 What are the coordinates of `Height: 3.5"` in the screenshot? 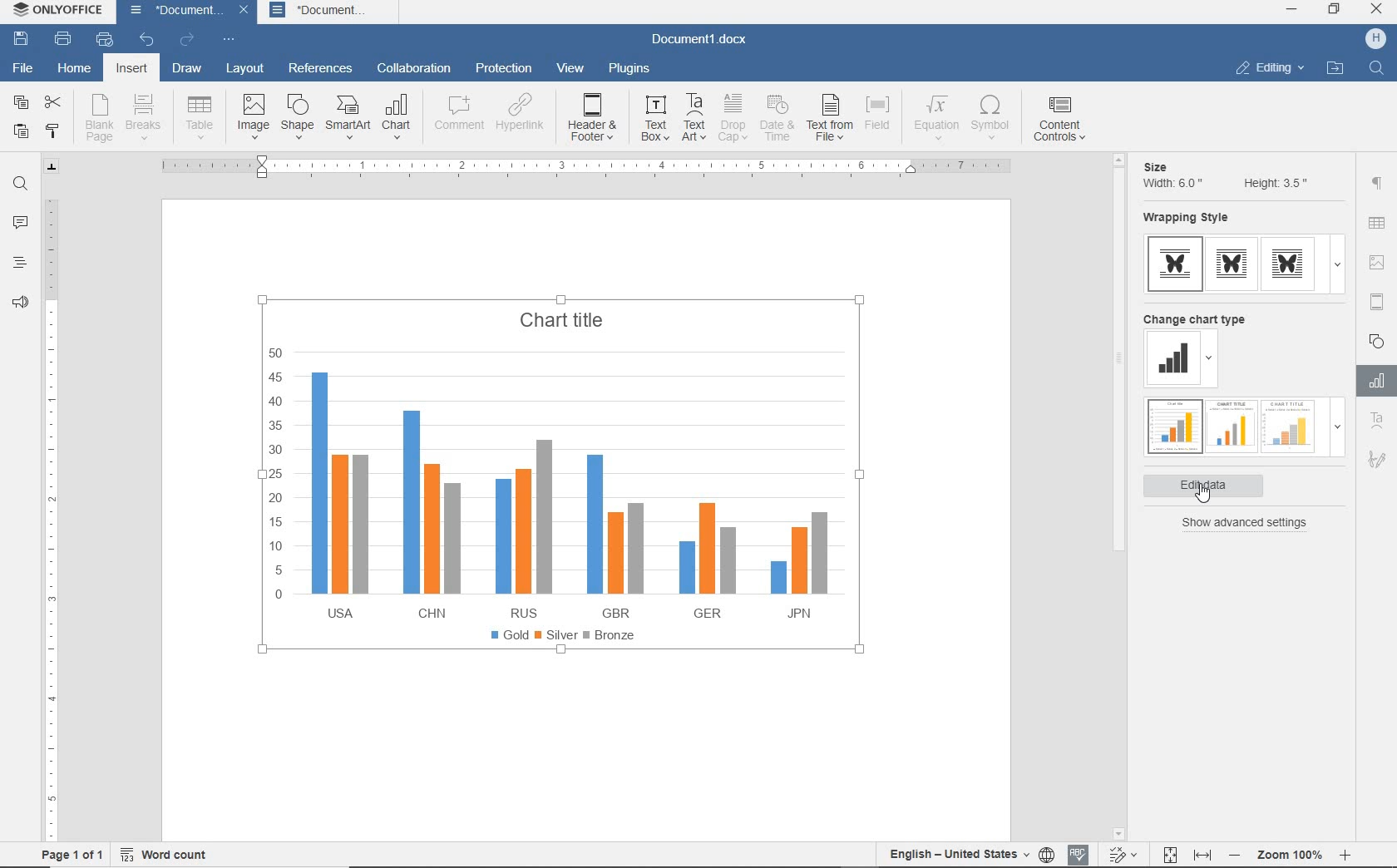 It's located at (1273, 182).